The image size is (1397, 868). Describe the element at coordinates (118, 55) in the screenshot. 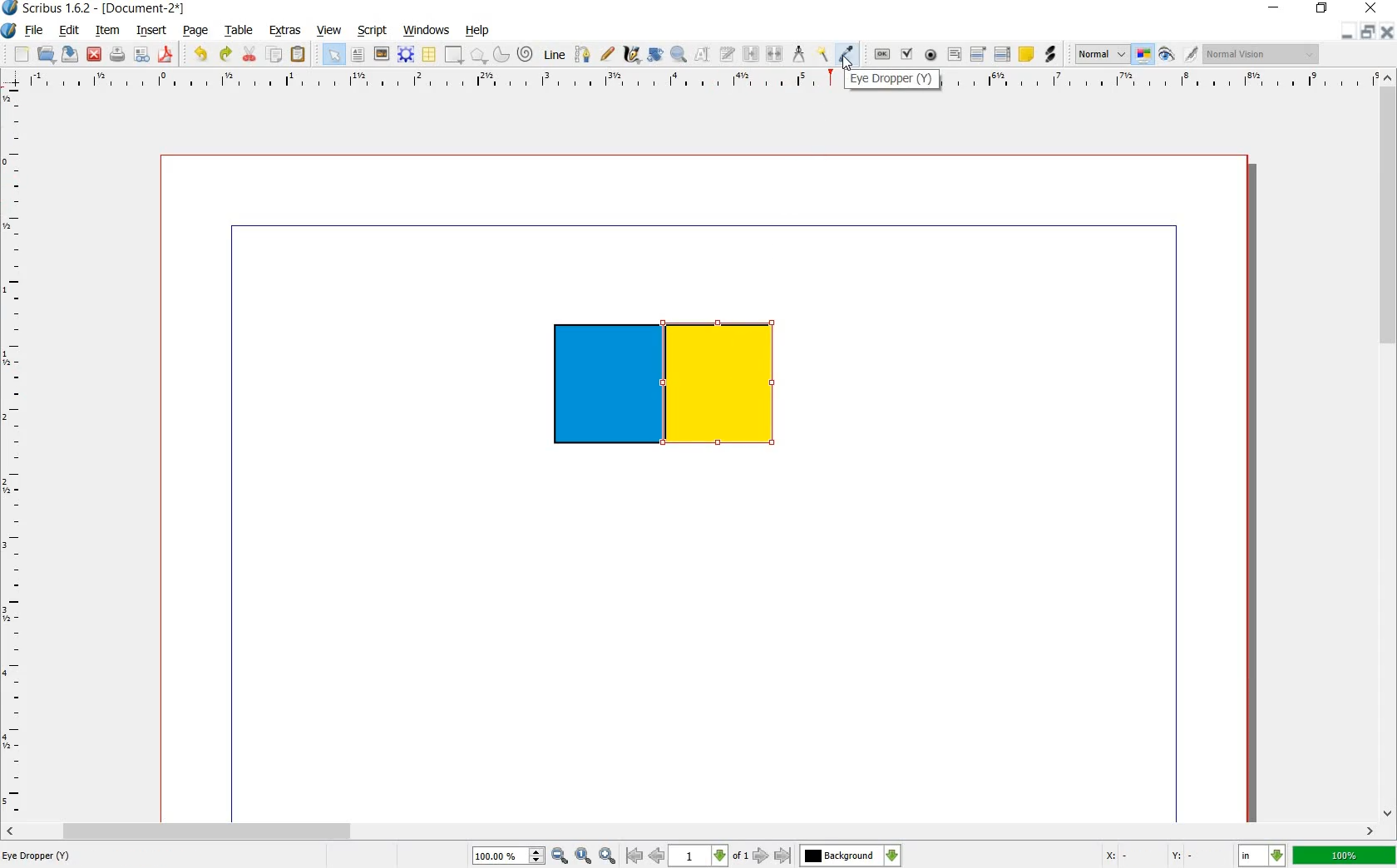

I see `print` at that location.